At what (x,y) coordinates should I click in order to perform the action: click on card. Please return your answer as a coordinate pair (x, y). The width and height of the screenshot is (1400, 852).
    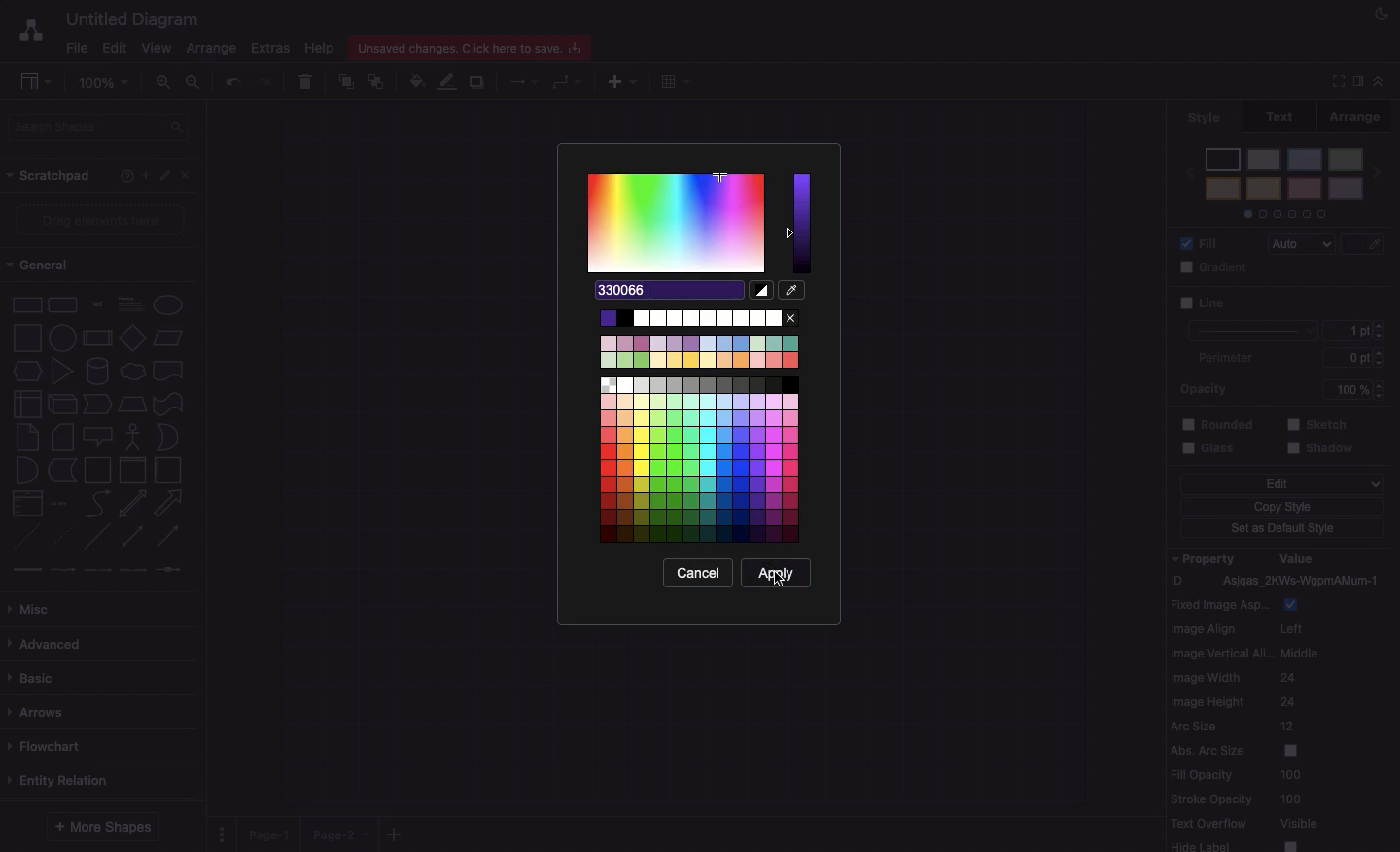
    Looking at the image, I should click on (61, 436).